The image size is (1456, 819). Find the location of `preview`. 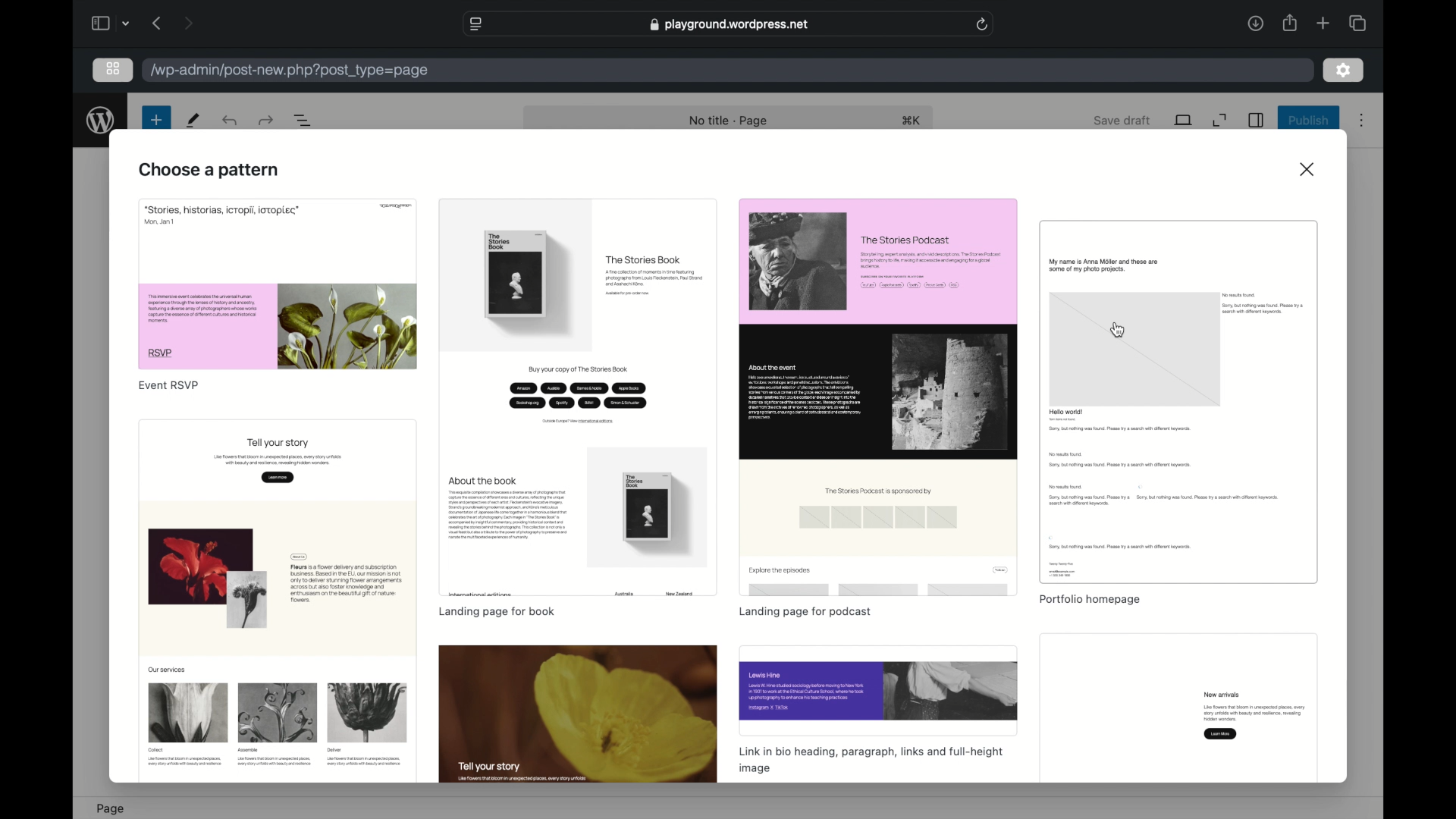

preview is located at coordinates (1179, 709).